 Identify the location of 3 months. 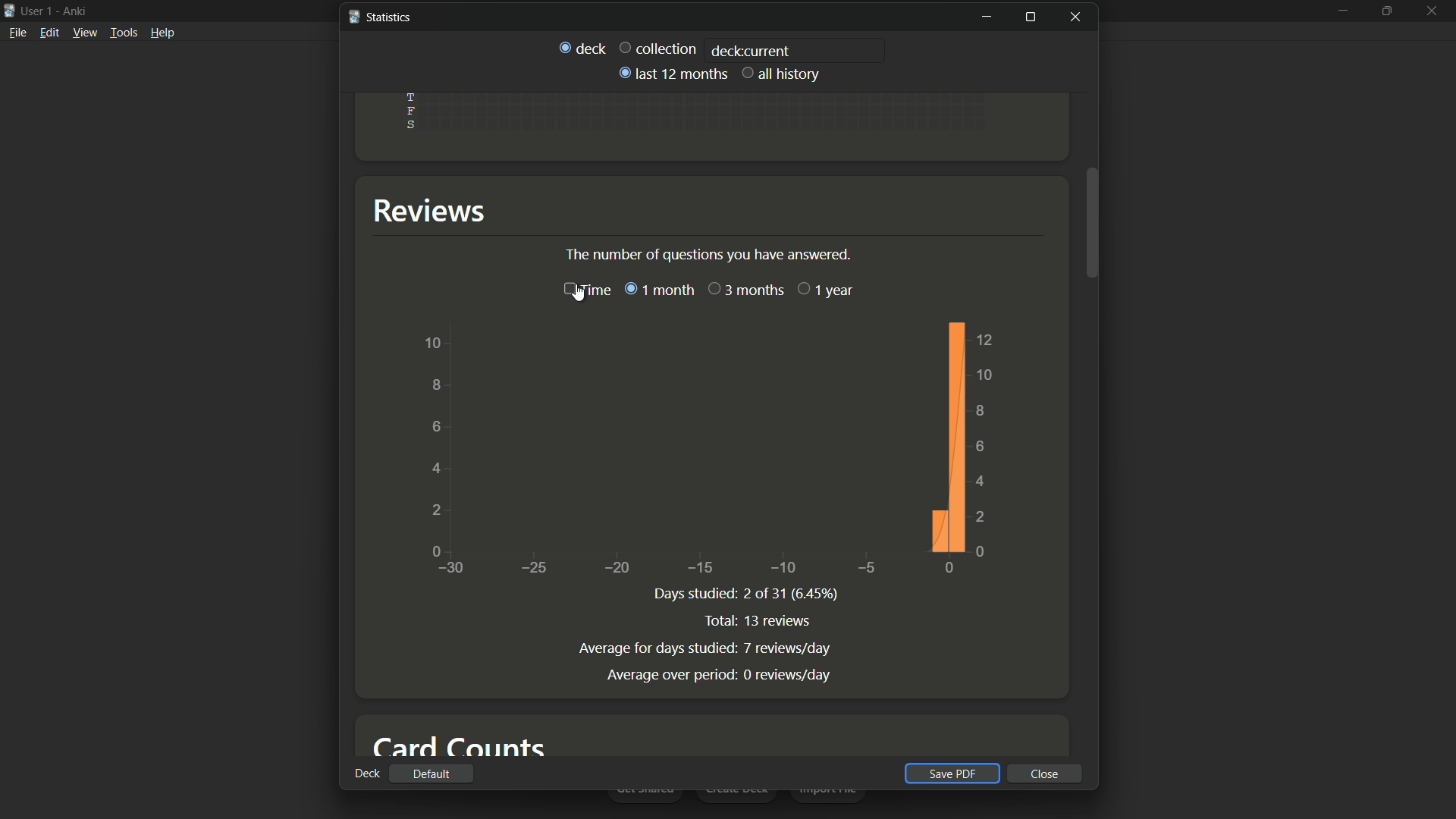
(745, 290).